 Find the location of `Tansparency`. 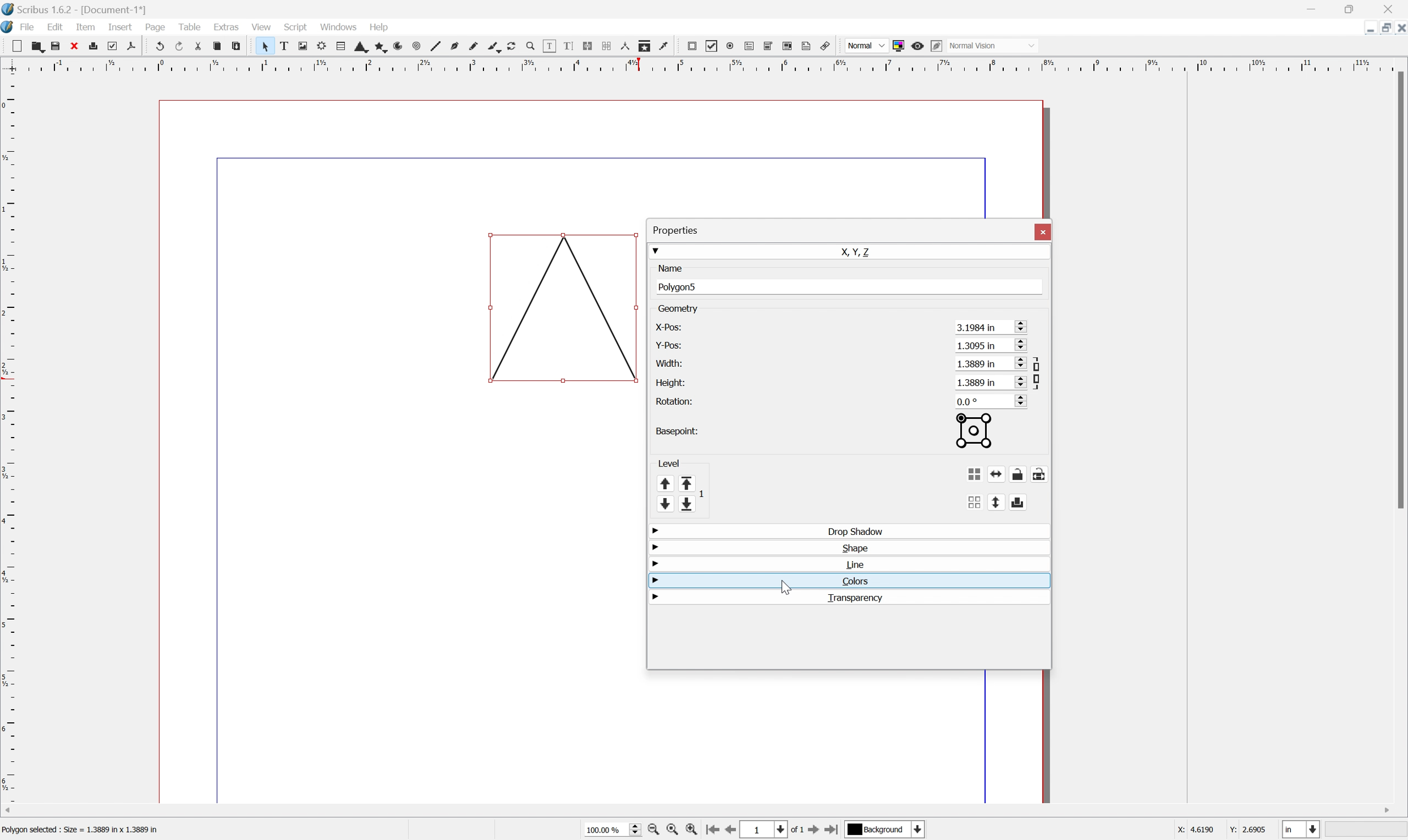

Tansparency is located at coordinates (857, 598).